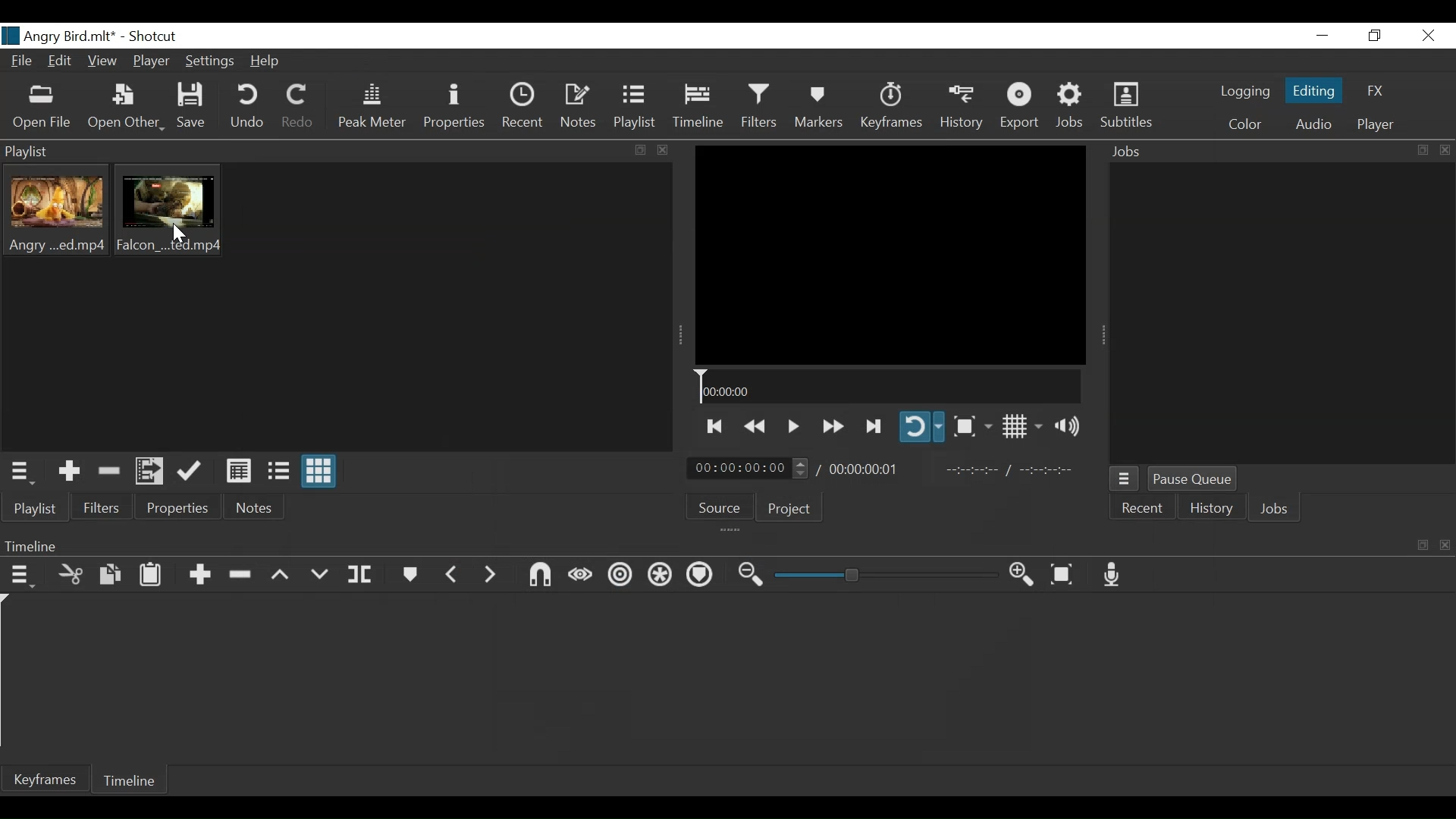  What do you see at coordinates (1071, 106) in the screenshot?
I see `Jobs` at bounding box center [1071, 106].